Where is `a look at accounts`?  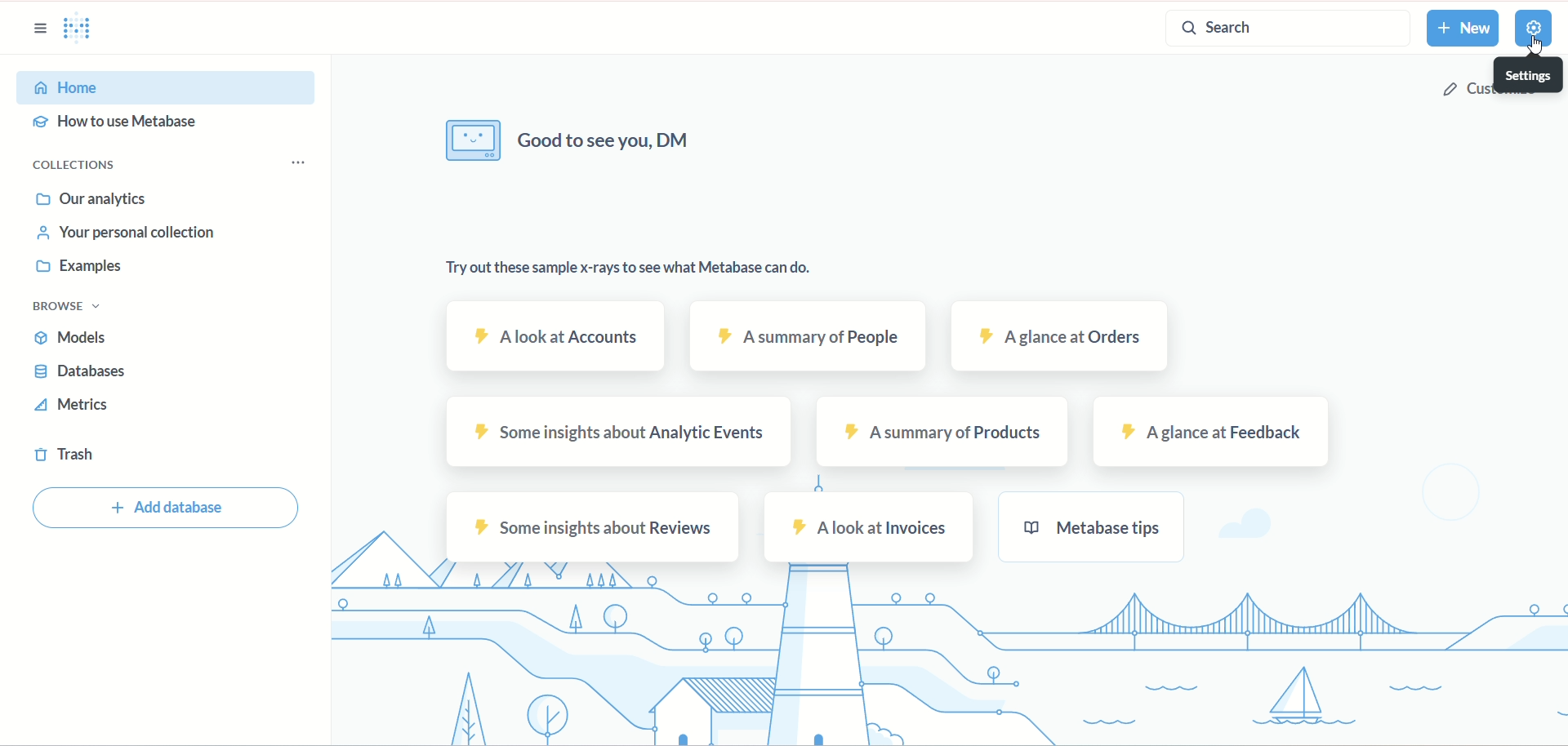 a look at accounts is located at coordinates (561, 337).